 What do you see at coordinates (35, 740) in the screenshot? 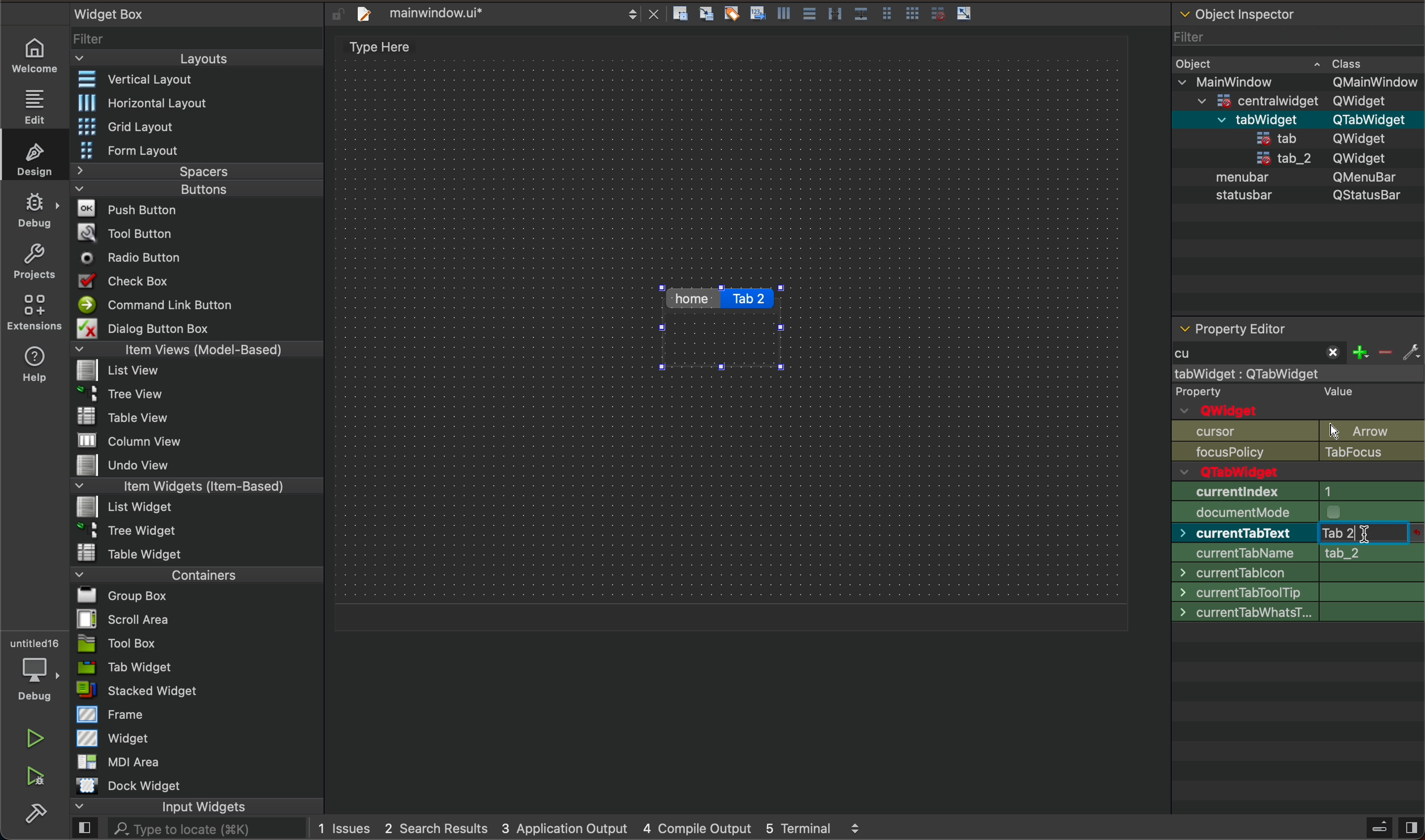
I see `play` at bounding box center [35, 740].